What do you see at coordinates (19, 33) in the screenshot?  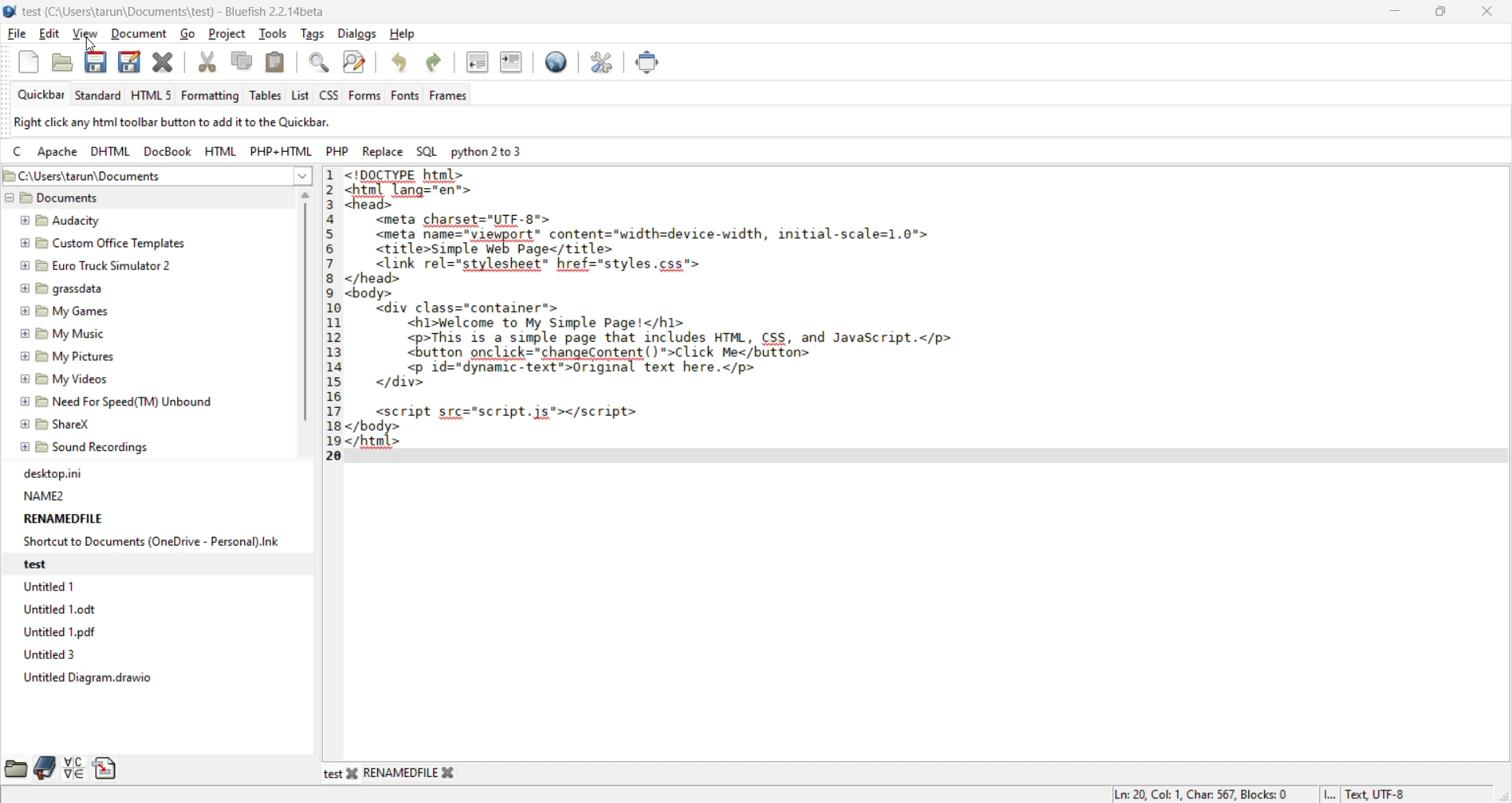 I see `file` at bounding box center [19, 33].